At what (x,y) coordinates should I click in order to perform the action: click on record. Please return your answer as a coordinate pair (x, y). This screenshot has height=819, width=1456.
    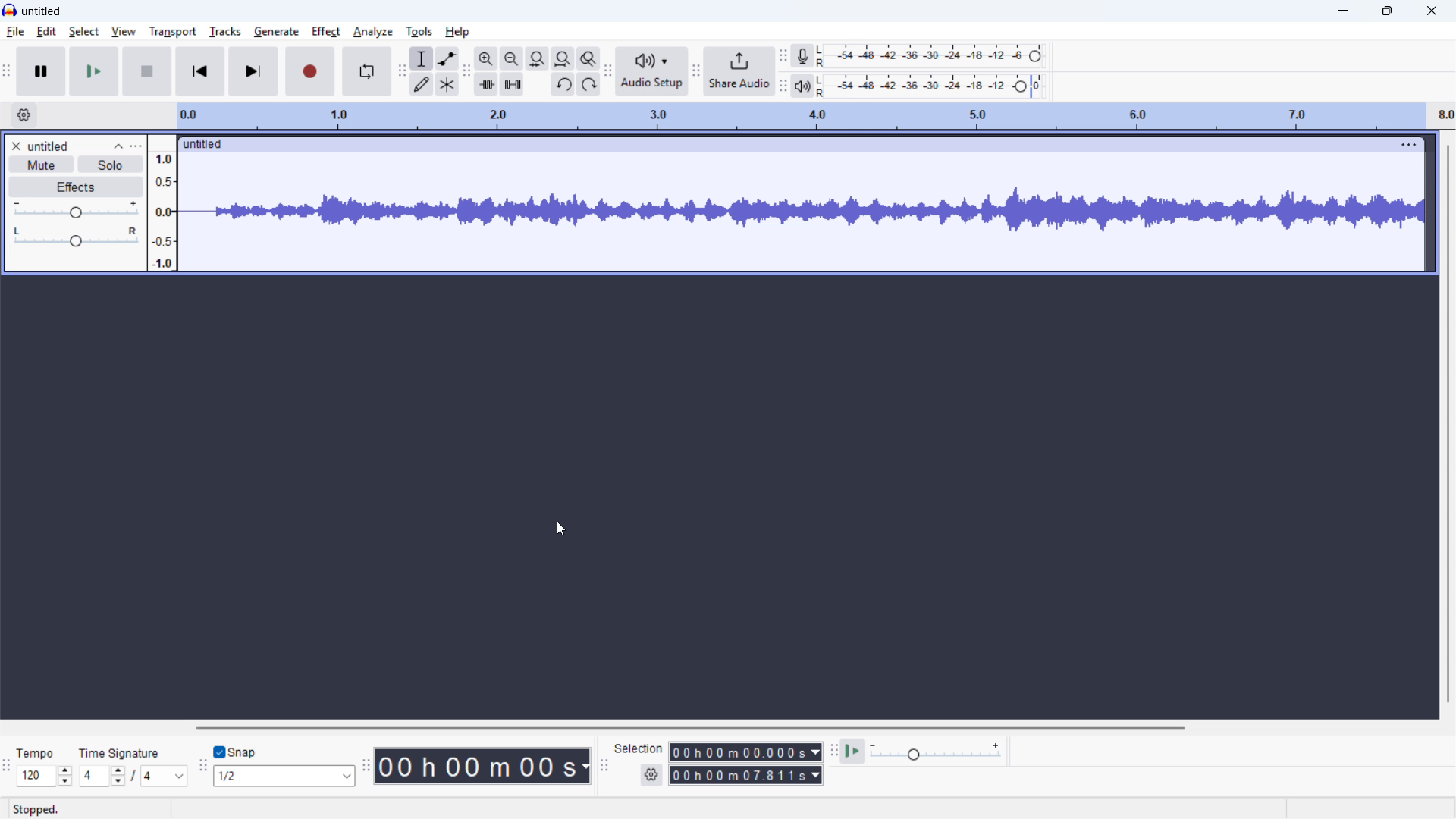
    Looking at the image, I should click on (310, 72).